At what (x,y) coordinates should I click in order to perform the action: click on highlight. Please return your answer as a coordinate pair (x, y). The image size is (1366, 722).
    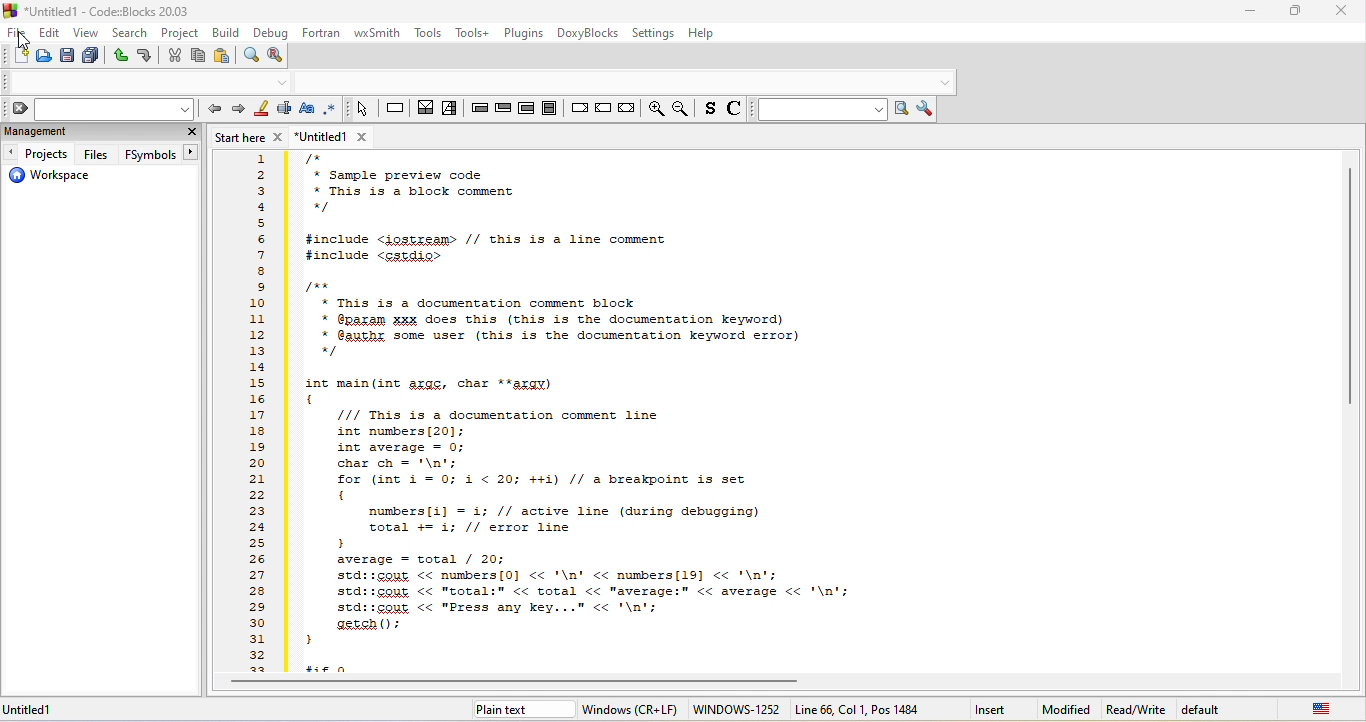
    Looking at the image, I should click on (261, 111).